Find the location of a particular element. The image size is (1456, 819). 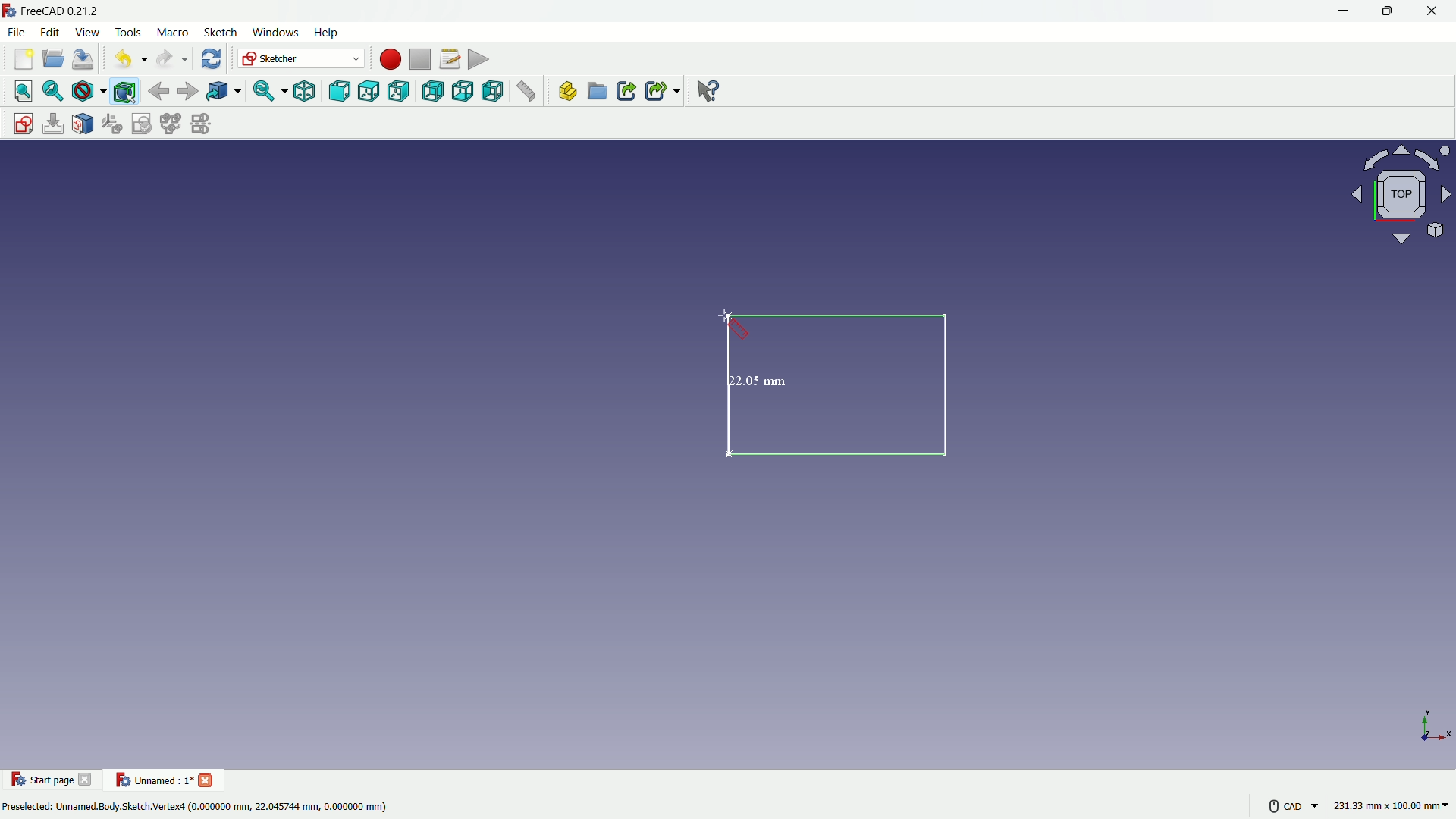

refresh is located at coordinates (209, 59).